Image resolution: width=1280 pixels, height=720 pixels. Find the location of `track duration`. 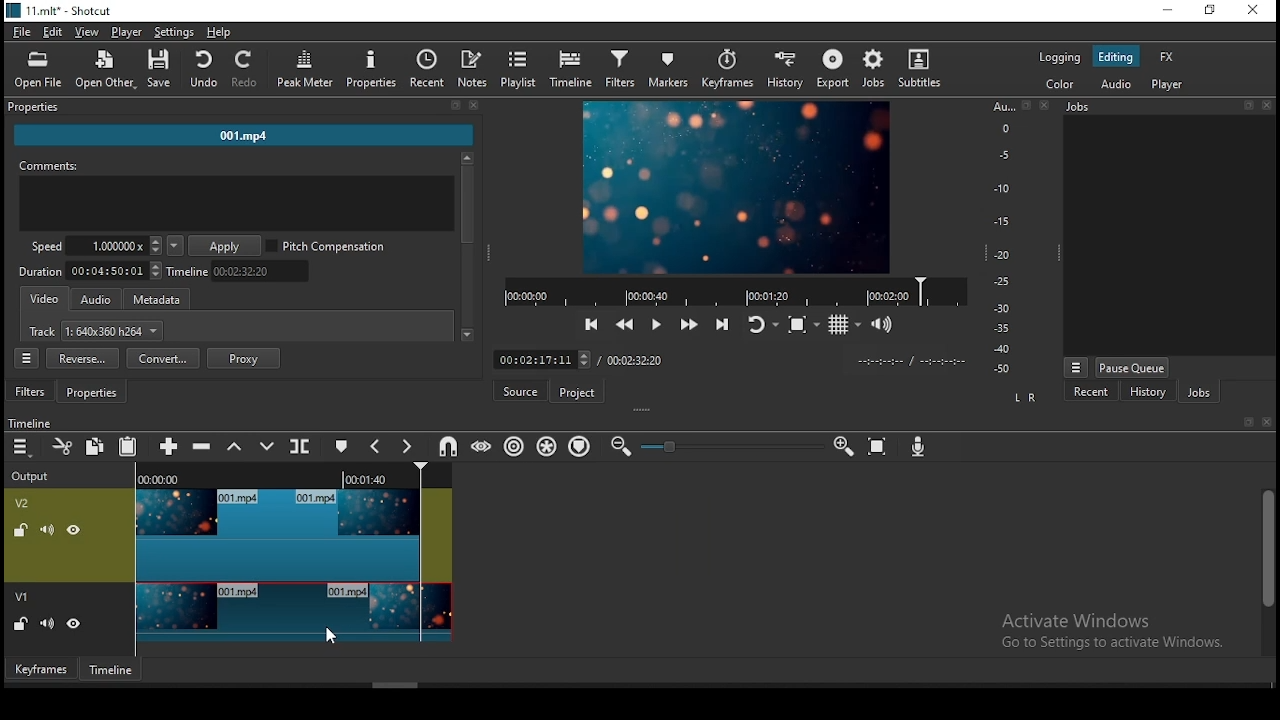

track duration is located at coordinates (91, 270).